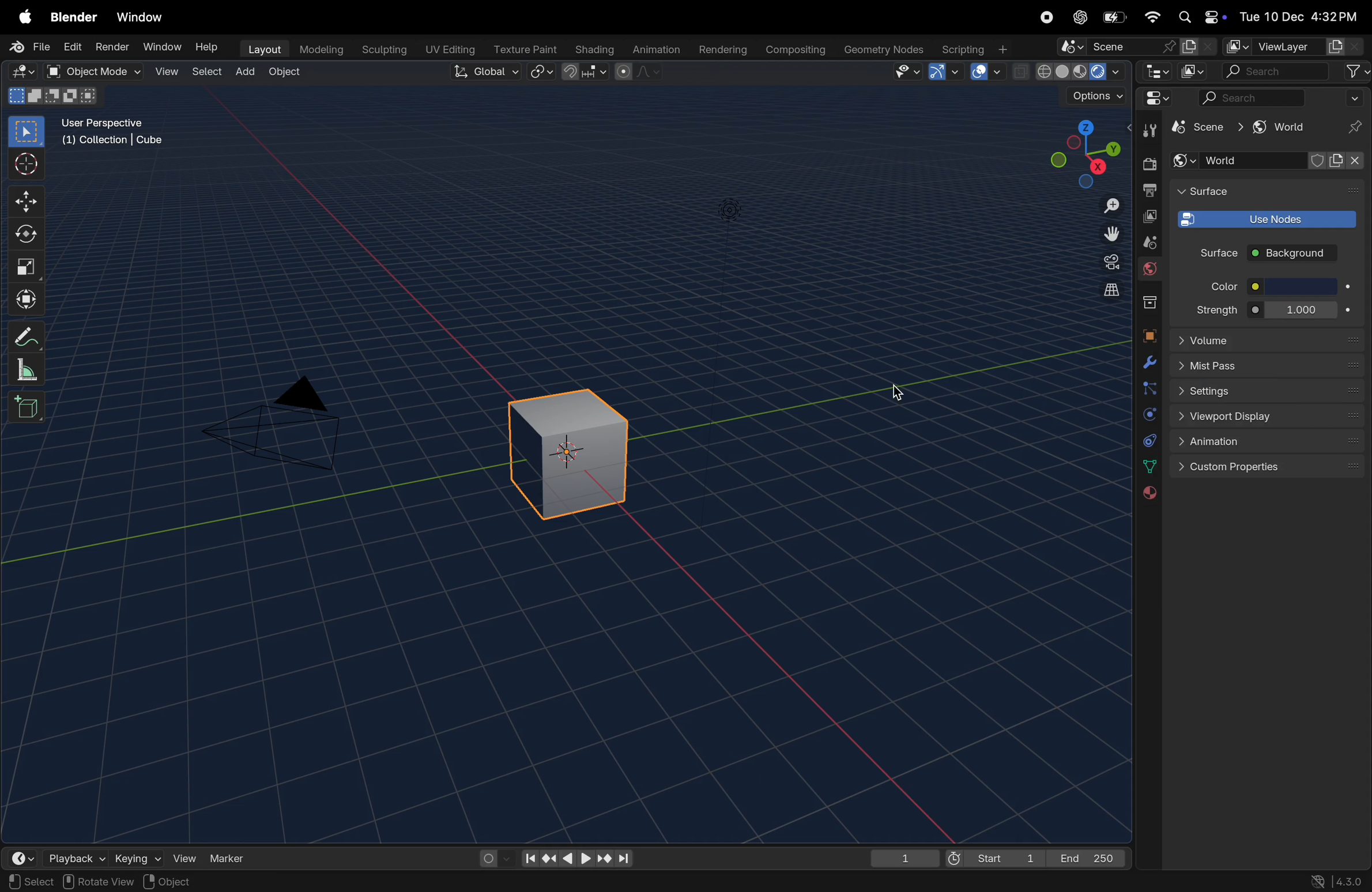  Describe the element at coordinates (793, 51) in the screenshot. I see `Composting` at that location.